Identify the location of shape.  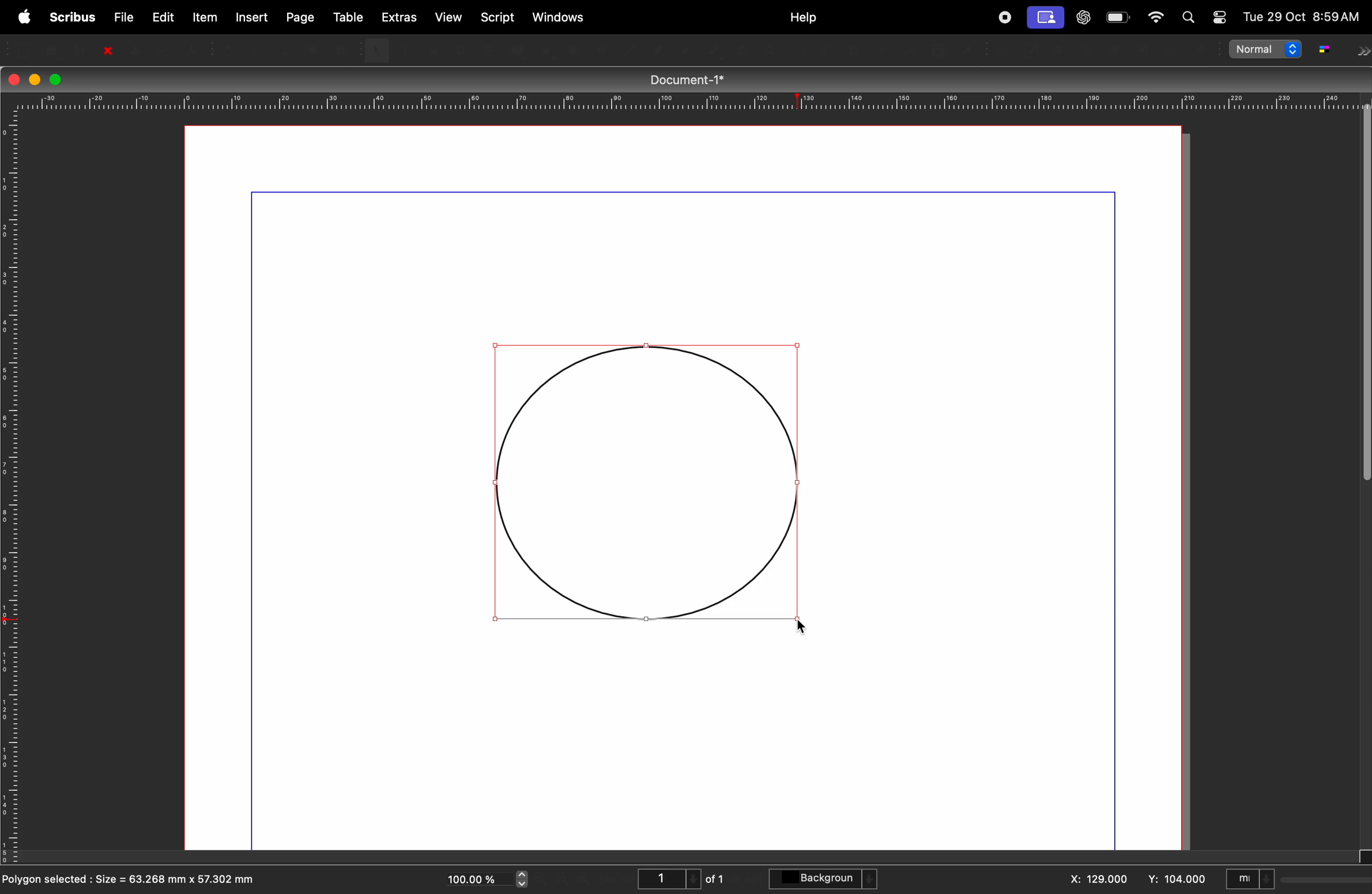
(517, 50).